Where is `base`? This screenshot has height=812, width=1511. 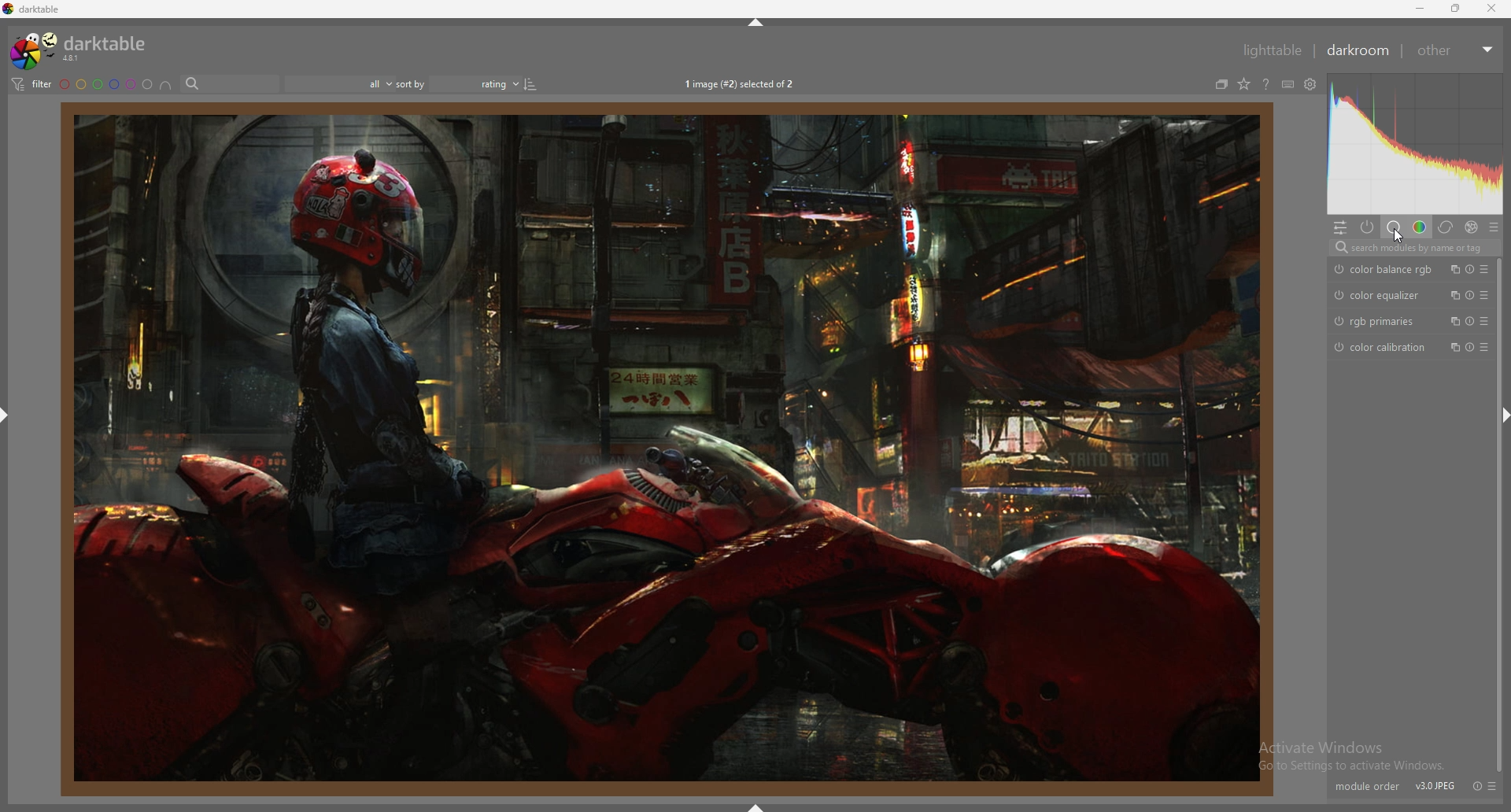 base is located at coordinates (1395, 227).